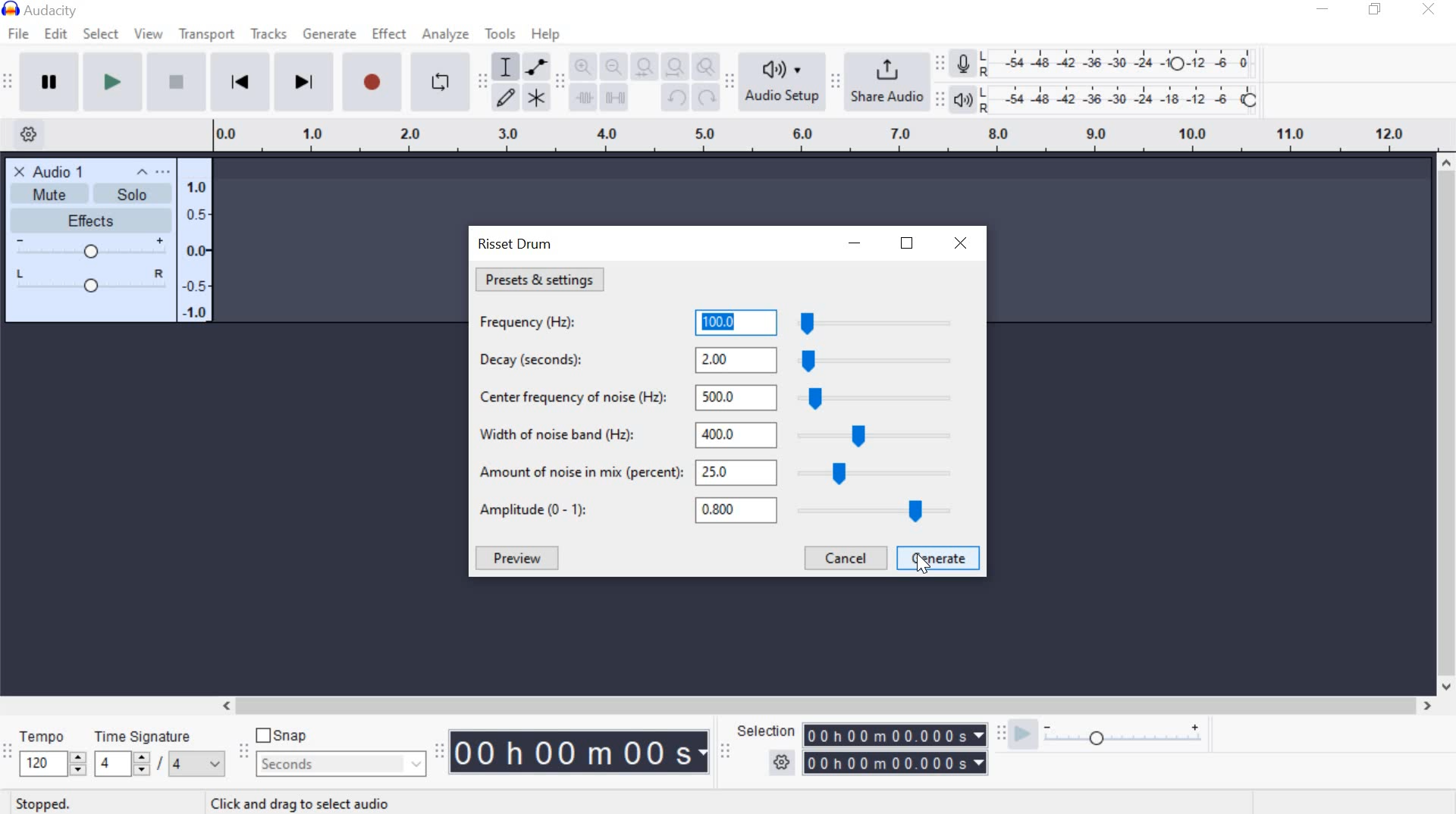 The width and height of the screenshot is (1456, 814). What do you see at coordinates (997, 734) in the screenshot?
I see `Play-at-speed toolbar` at bounding box center [997, 734].